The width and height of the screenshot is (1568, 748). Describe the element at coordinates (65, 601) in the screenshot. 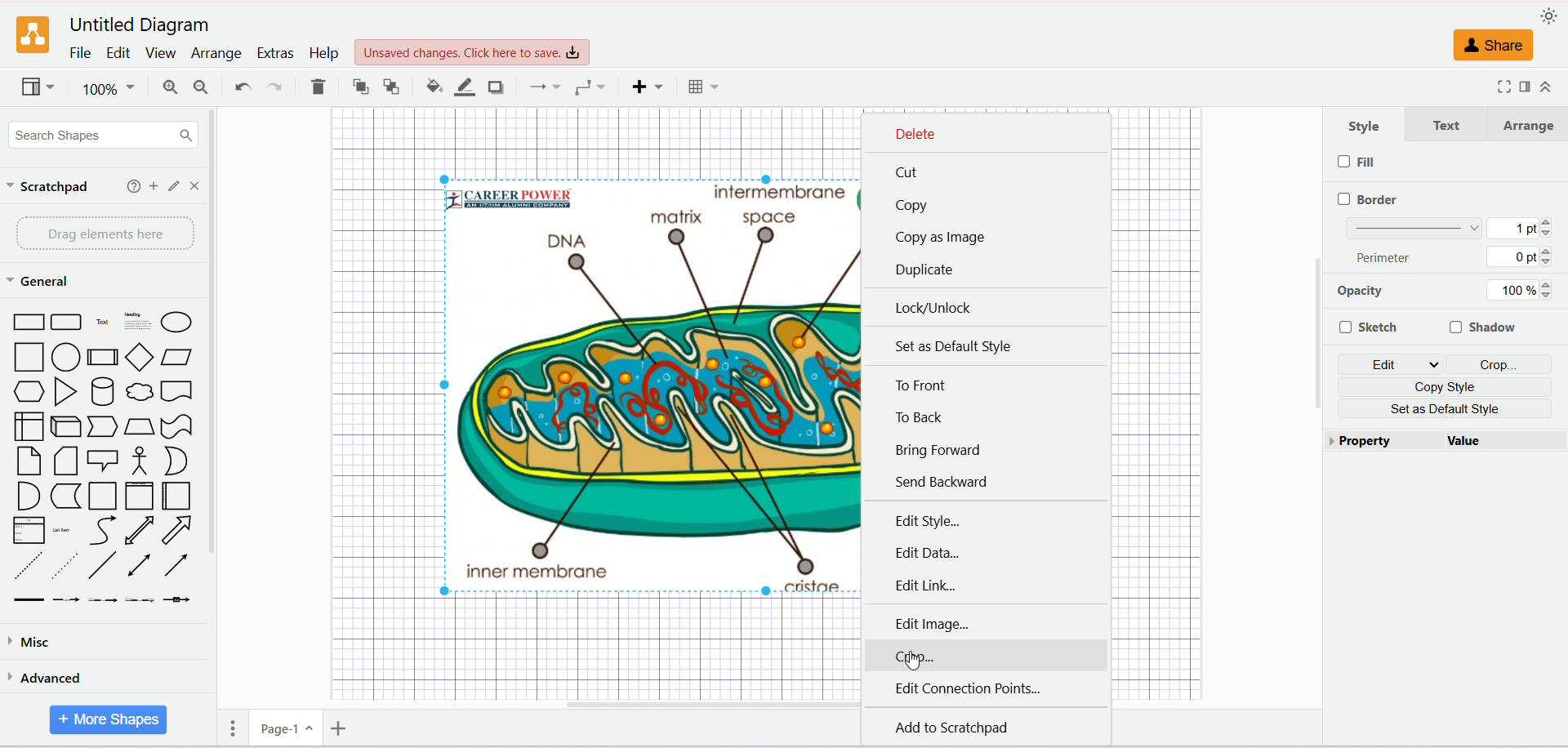

I see `Connector with Label` at that location.